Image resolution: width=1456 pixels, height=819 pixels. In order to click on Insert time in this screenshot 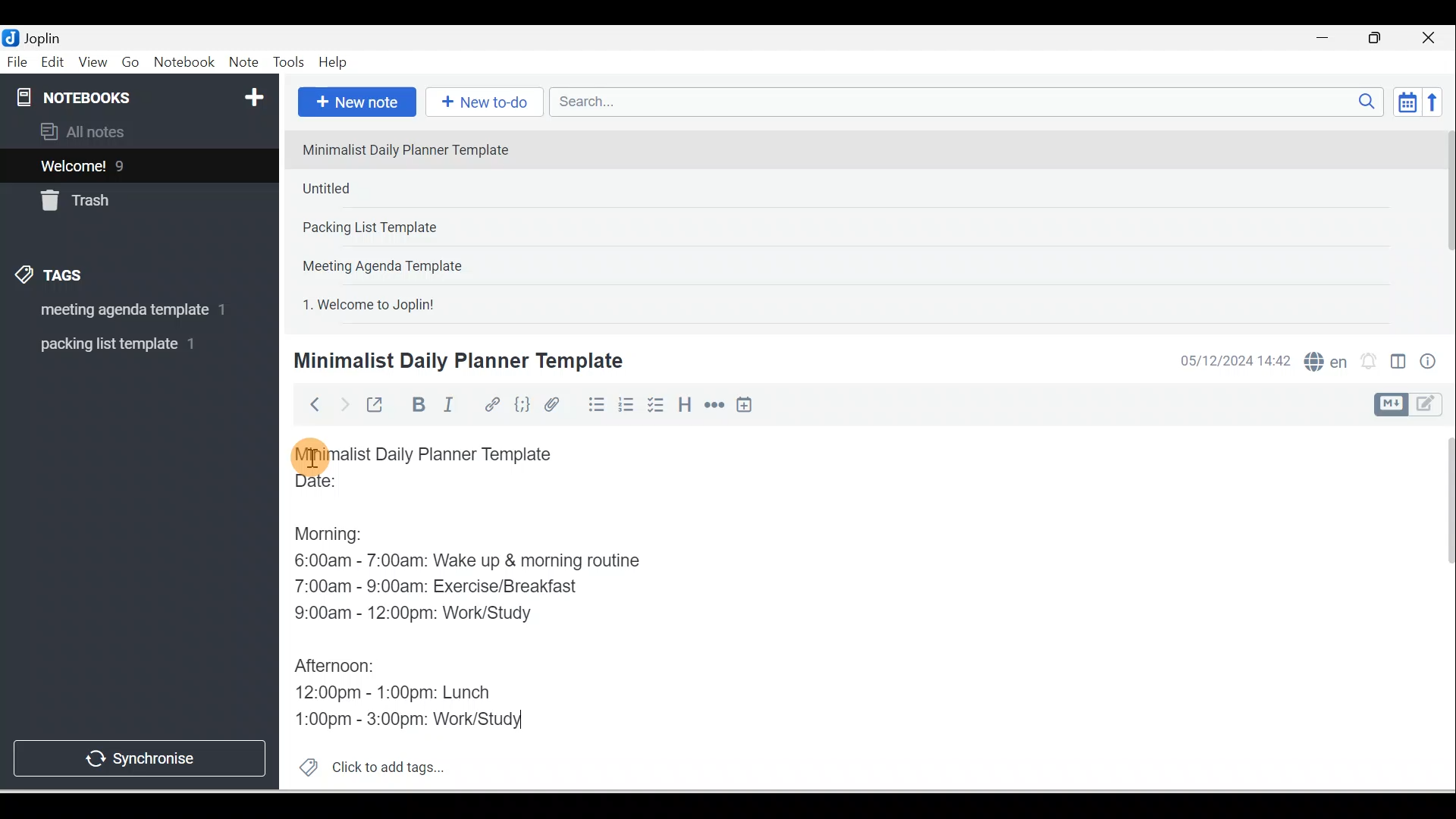, I will do `click(744, 406)`.